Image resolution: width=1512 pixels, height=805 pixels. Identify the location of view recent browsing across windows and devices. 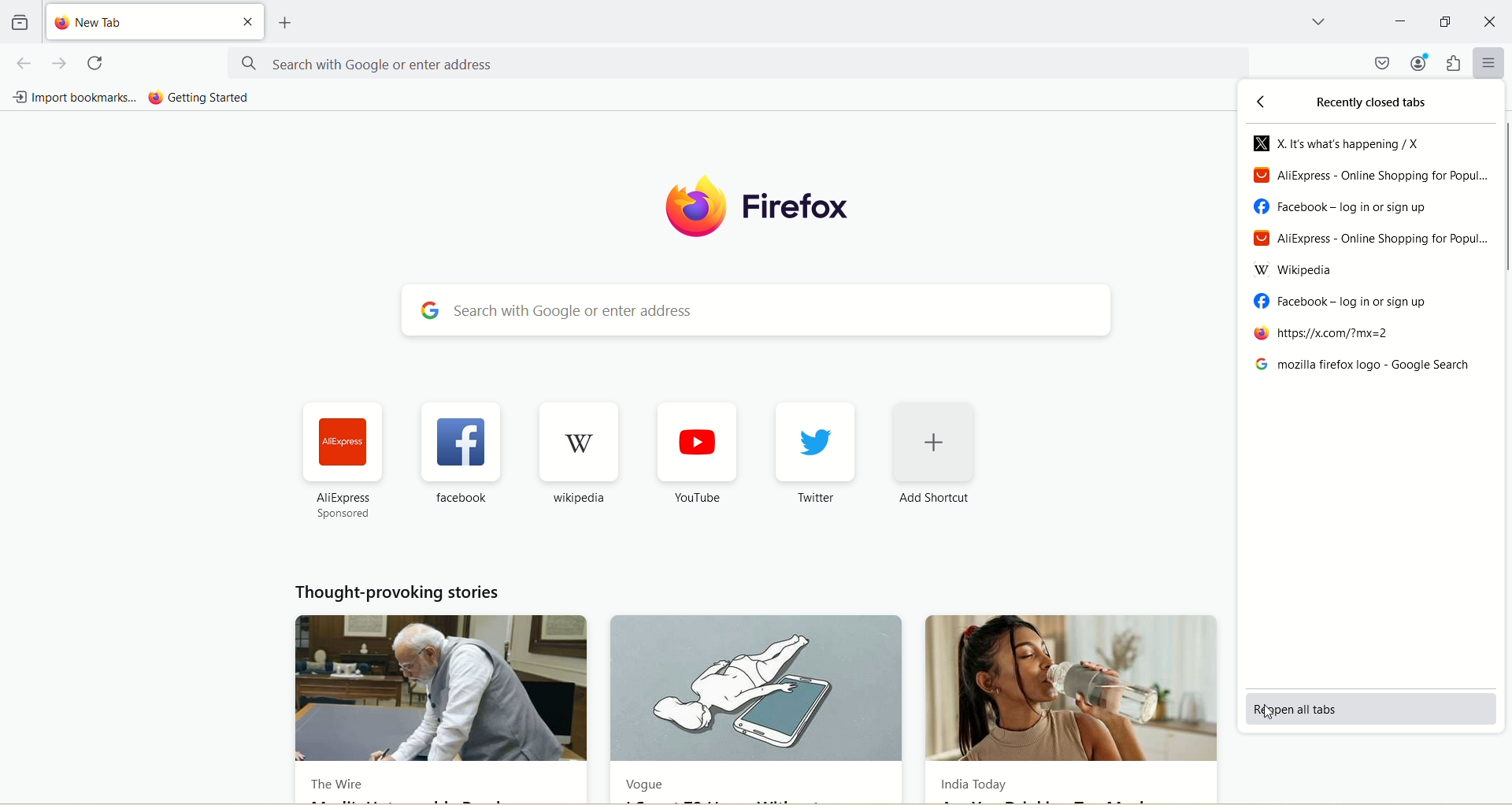
(20, 20).